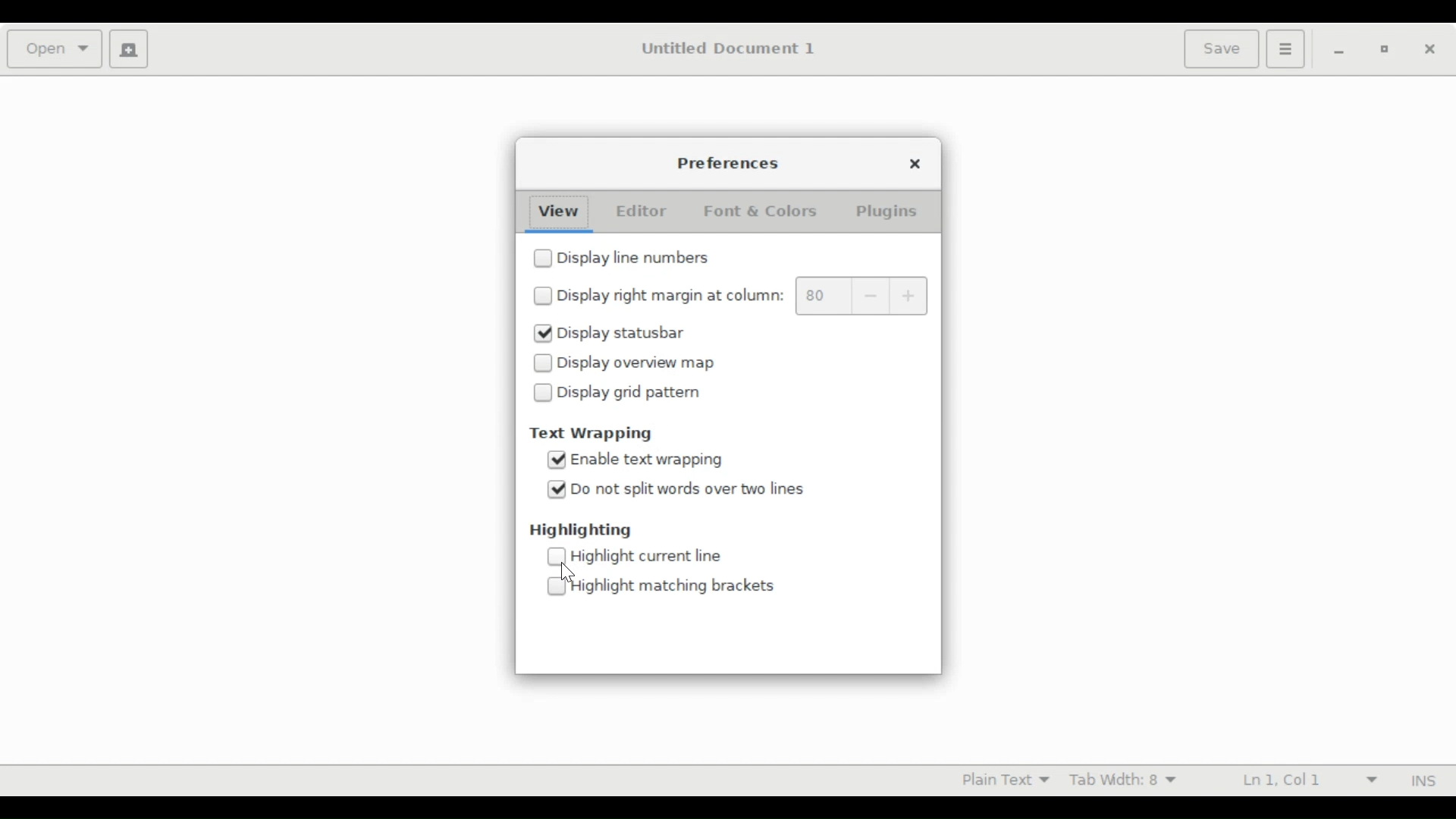 This screenshot has height=819, width=1456. I want to click on Editor, so click(643, 213).